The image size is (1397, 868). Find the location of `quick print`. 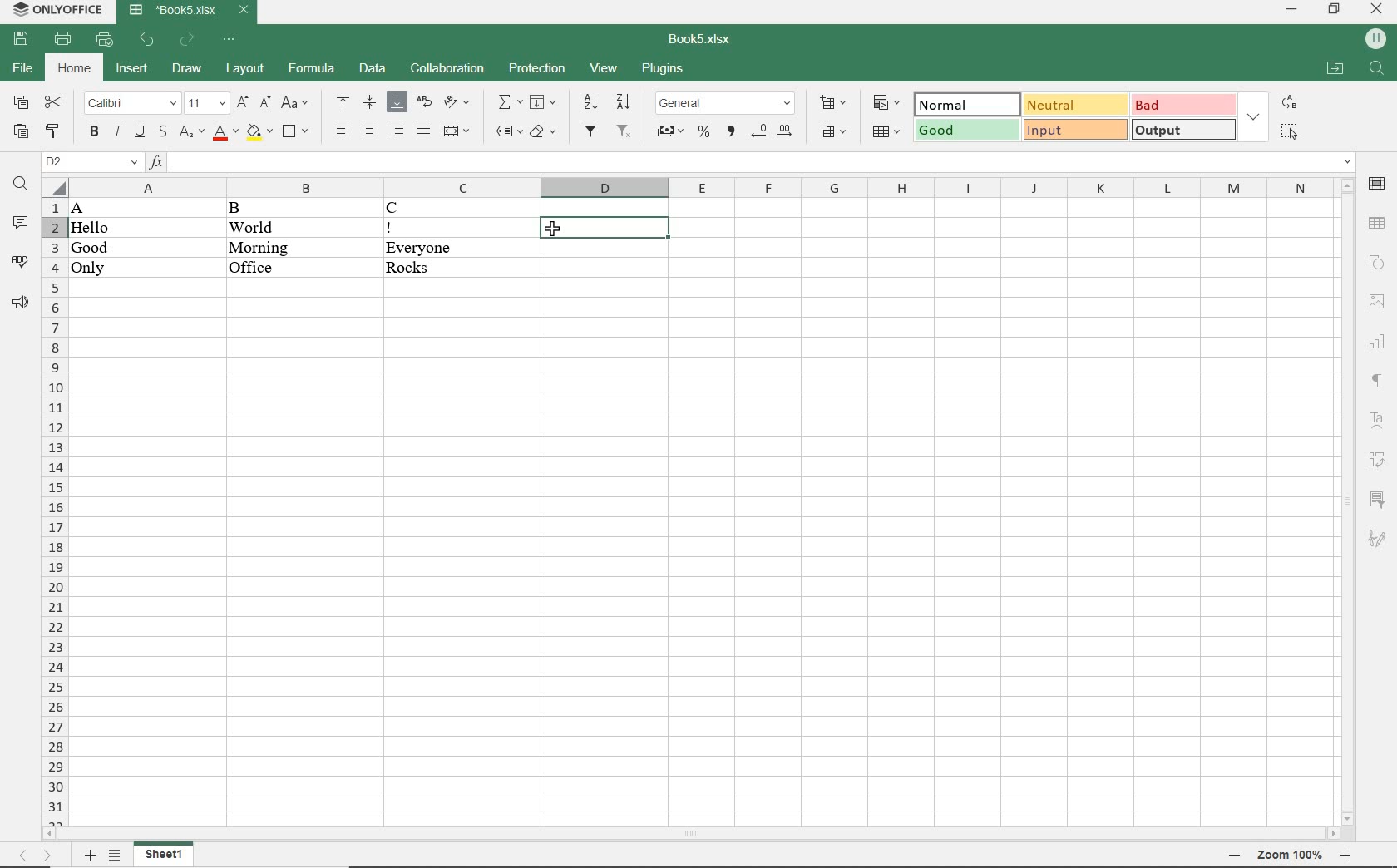

quick print is located at coordinates (106, 41).